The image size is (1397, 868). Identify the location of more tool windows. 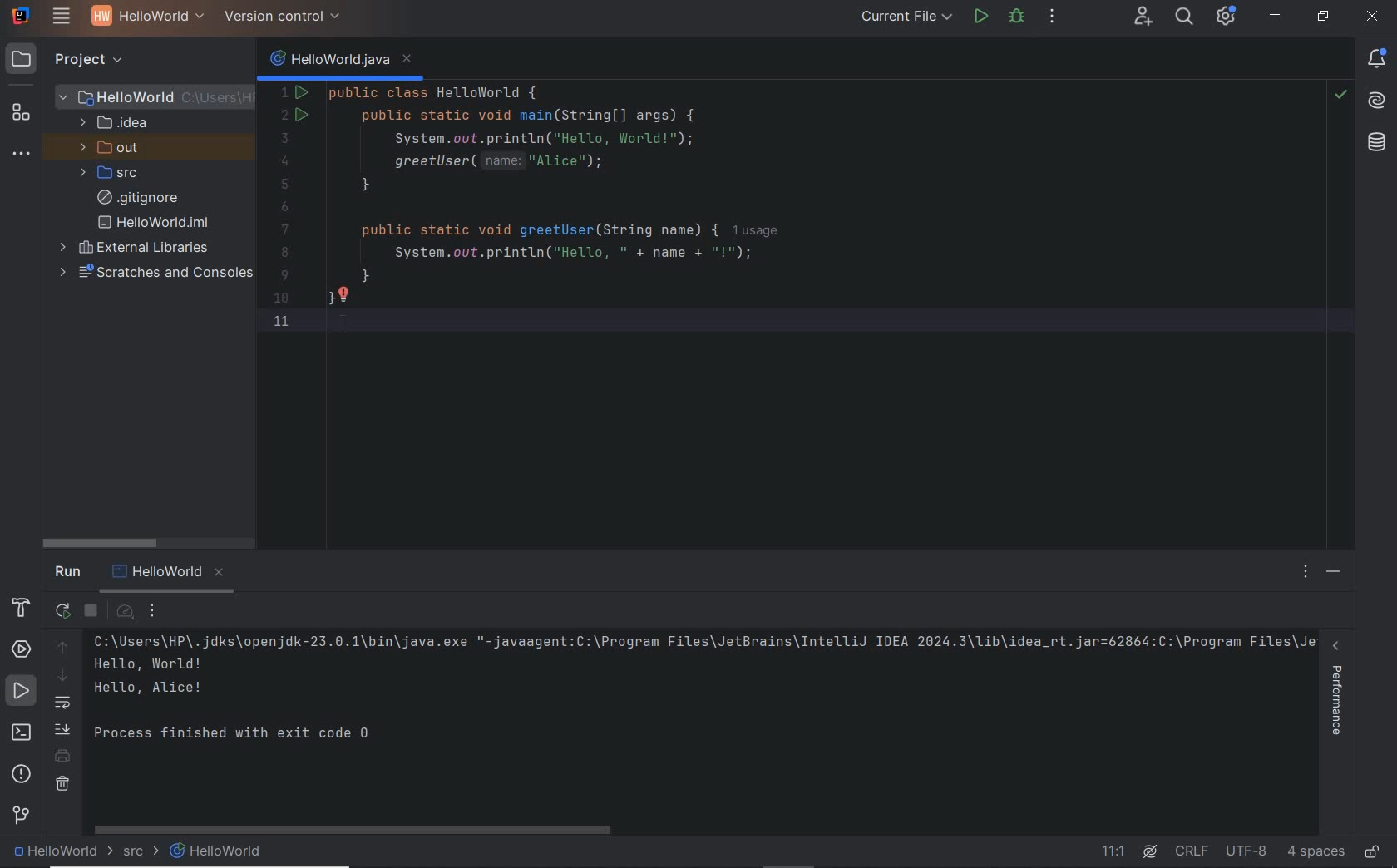
(23, 155).